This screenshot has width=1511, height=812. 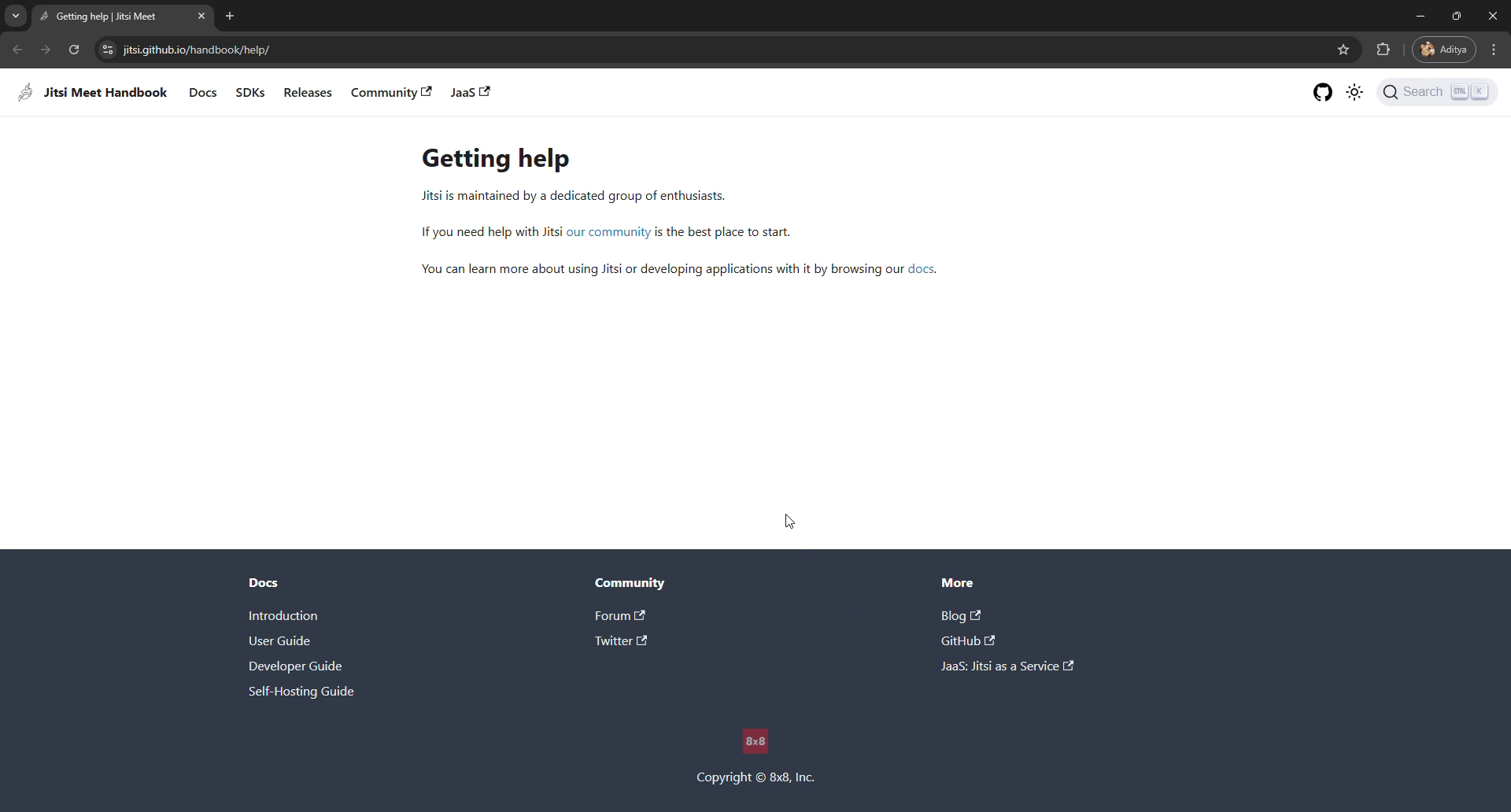 What do you see at coordinates (231, 15) in the screenshot?
I see `new tab` at bounding box center [231, 15].